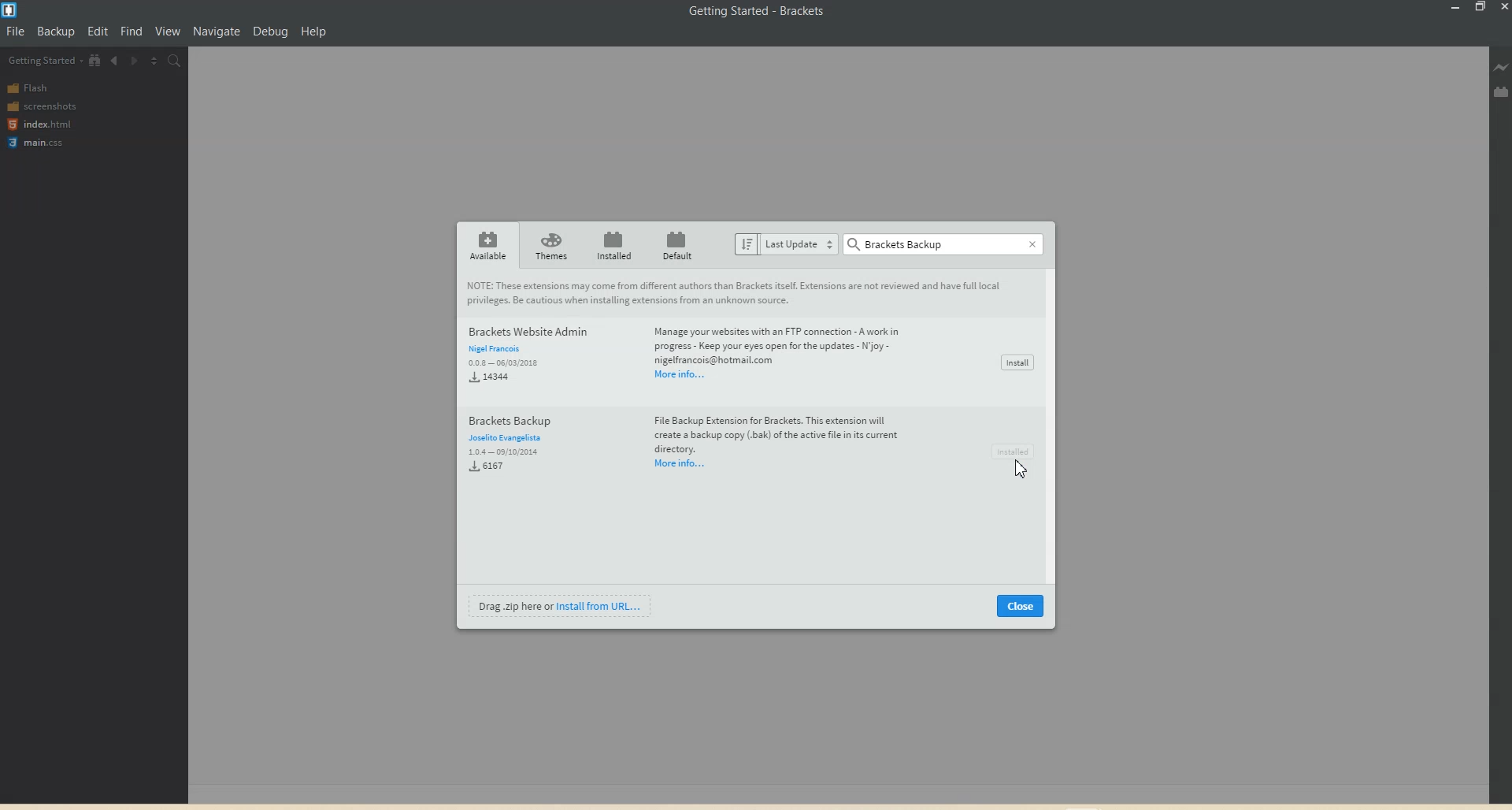 Image resolution: width=1512 pixels, height=810 pixels. Describe the element at coordinates (175, 61) in the screenshot. I see `Find in files` at that location.